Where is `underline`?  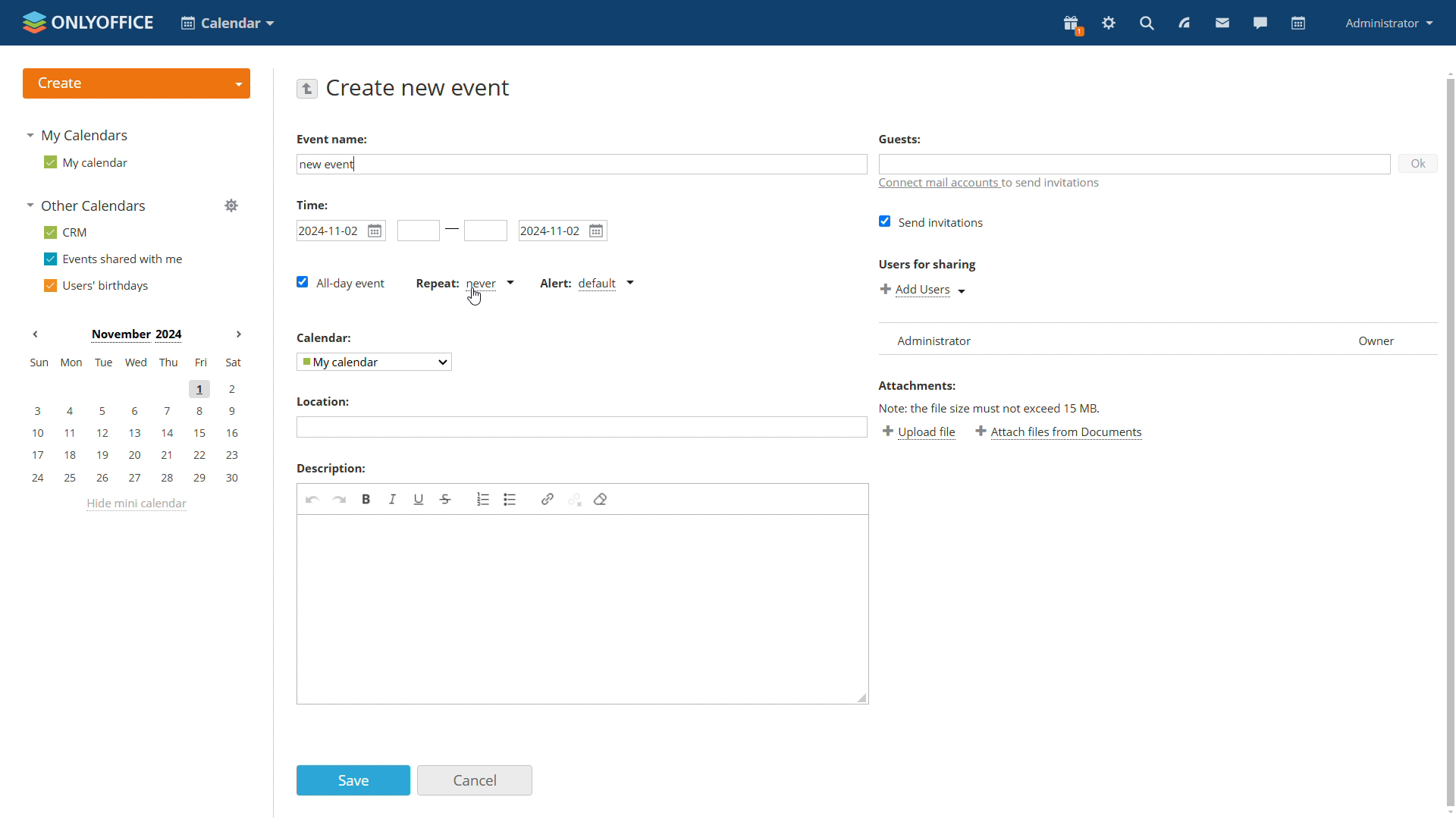 underline is located at coordinates (419, 500).